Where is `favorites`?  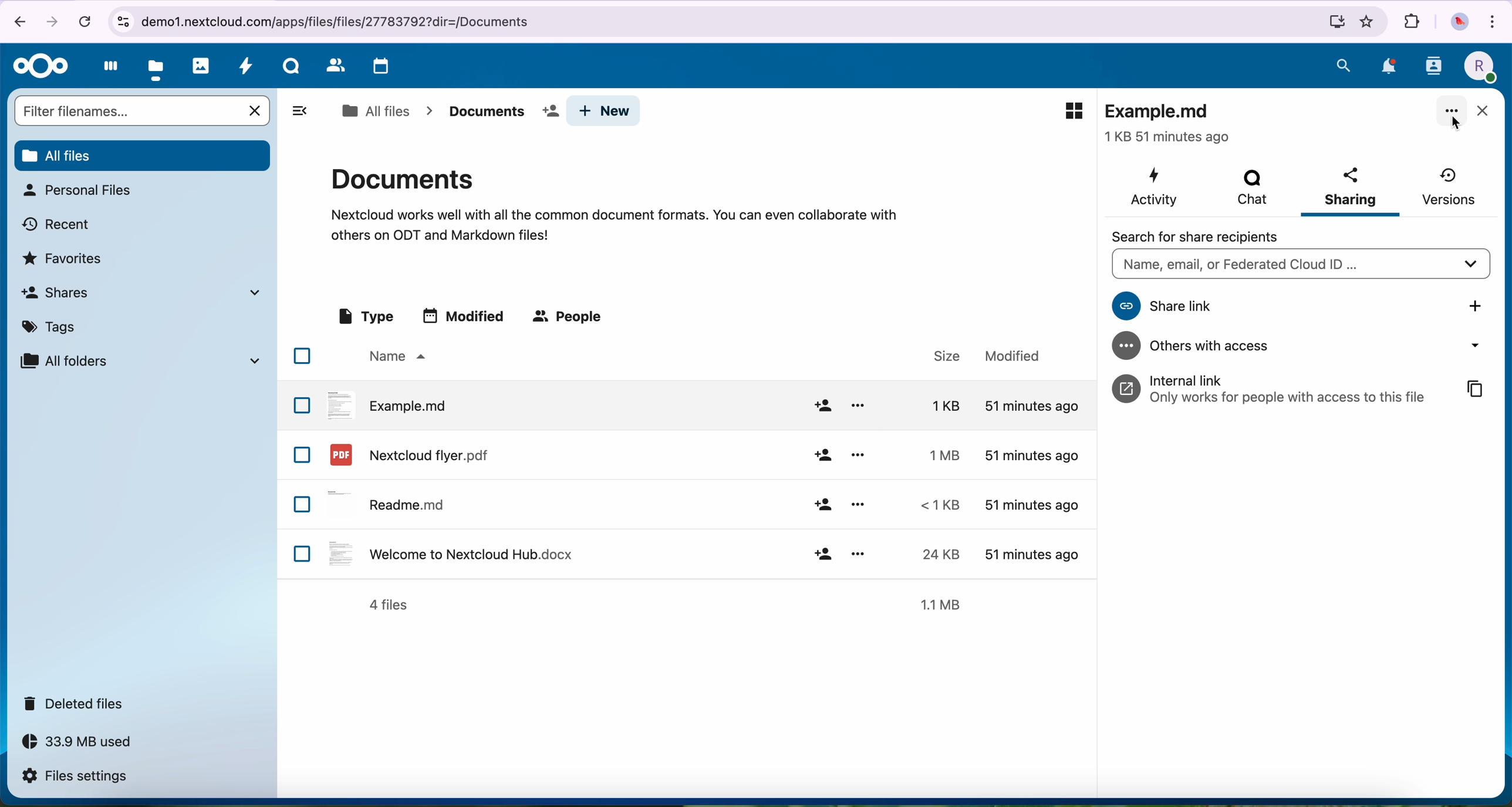
favorites is located at coordinates (65, 257).